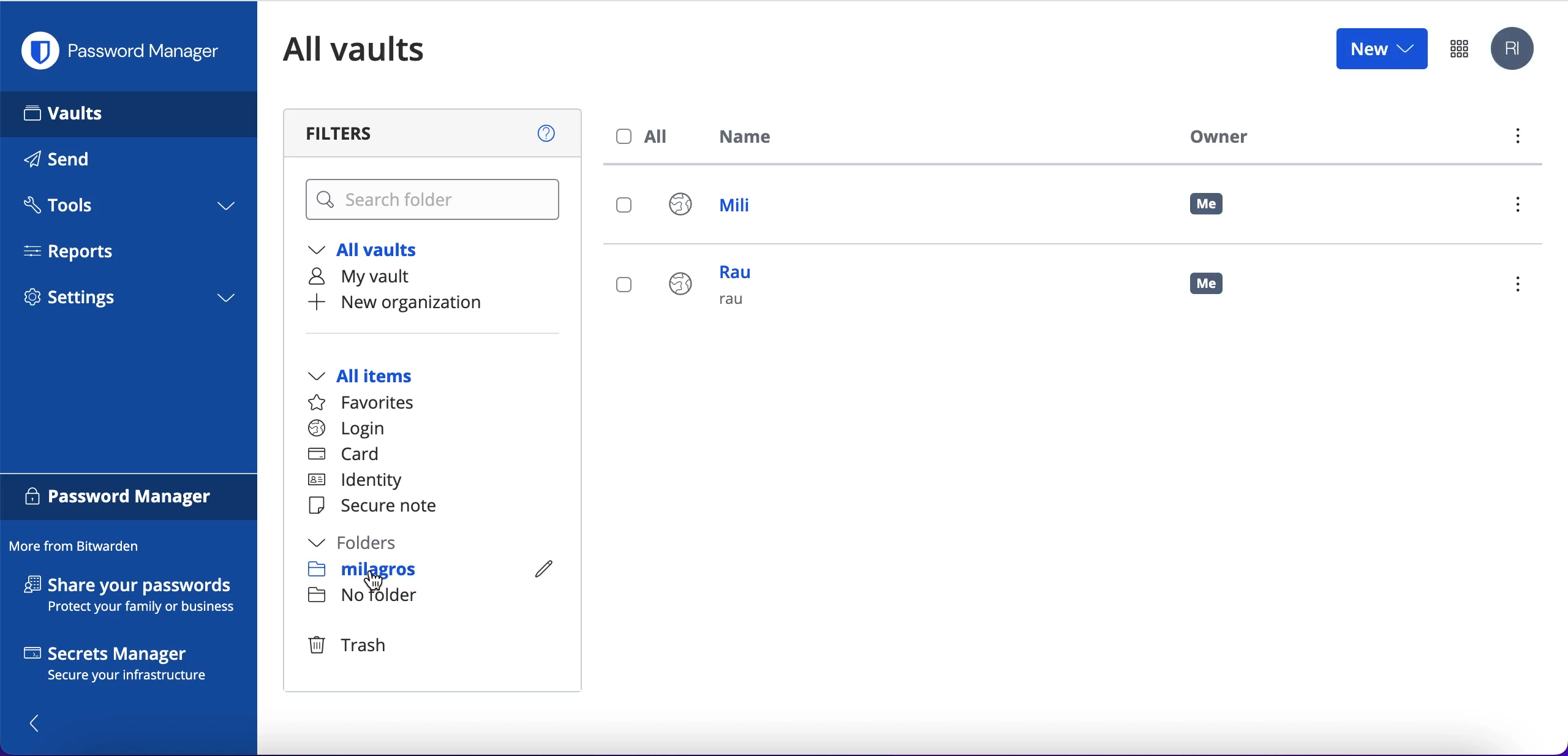 The image size is (1568, 756). What do you see at coordinates (129, 667) in the screenshot?
I see `secrets manager secure your infrastructure` at bounding box center [129, 667].